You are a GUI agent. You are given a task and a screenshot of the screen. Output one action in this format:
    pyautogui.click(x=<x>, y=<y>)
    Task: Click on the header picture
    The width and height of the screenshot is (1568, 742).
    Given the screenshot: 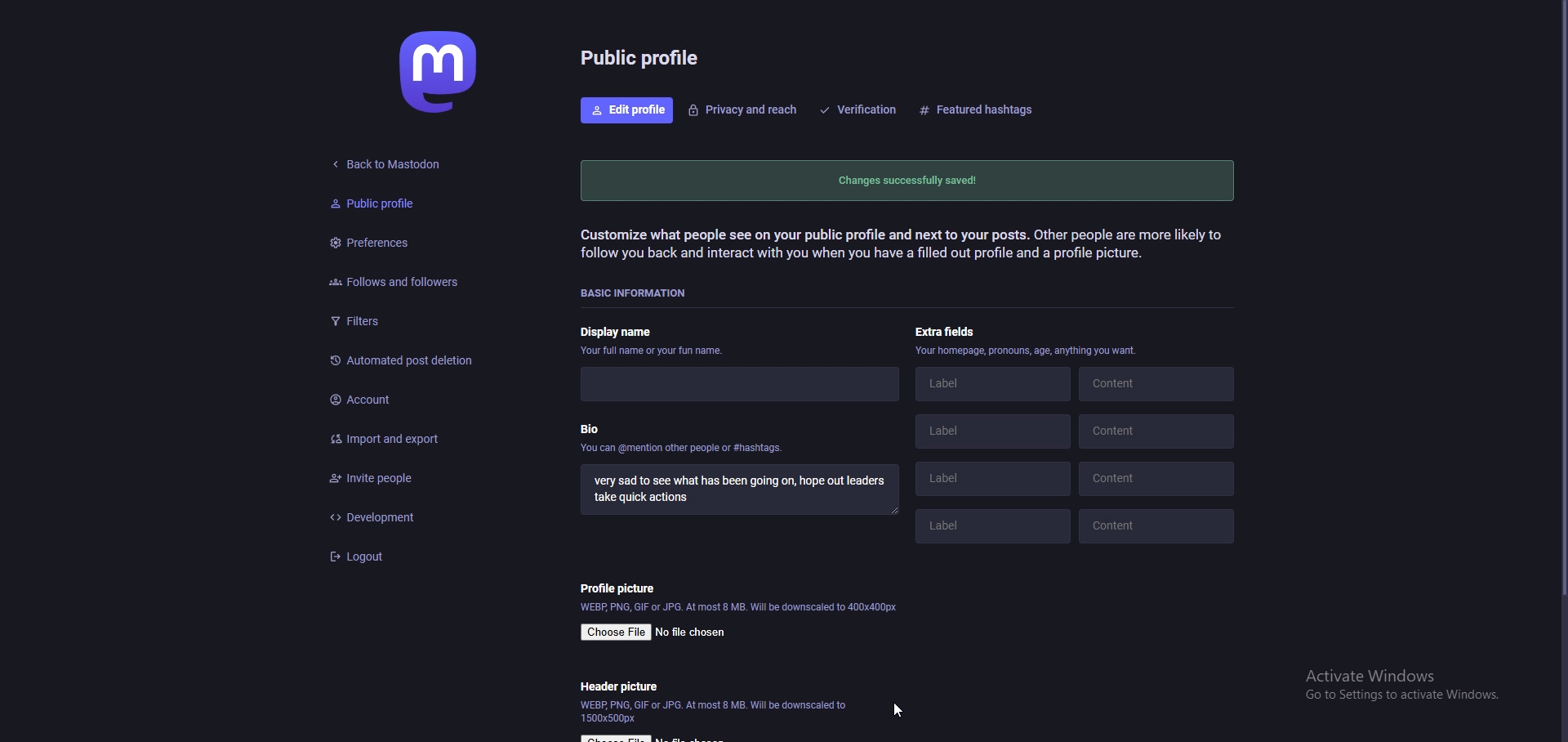 What is the action you would take?
    pyautogui.click(x=618, y=684)
    